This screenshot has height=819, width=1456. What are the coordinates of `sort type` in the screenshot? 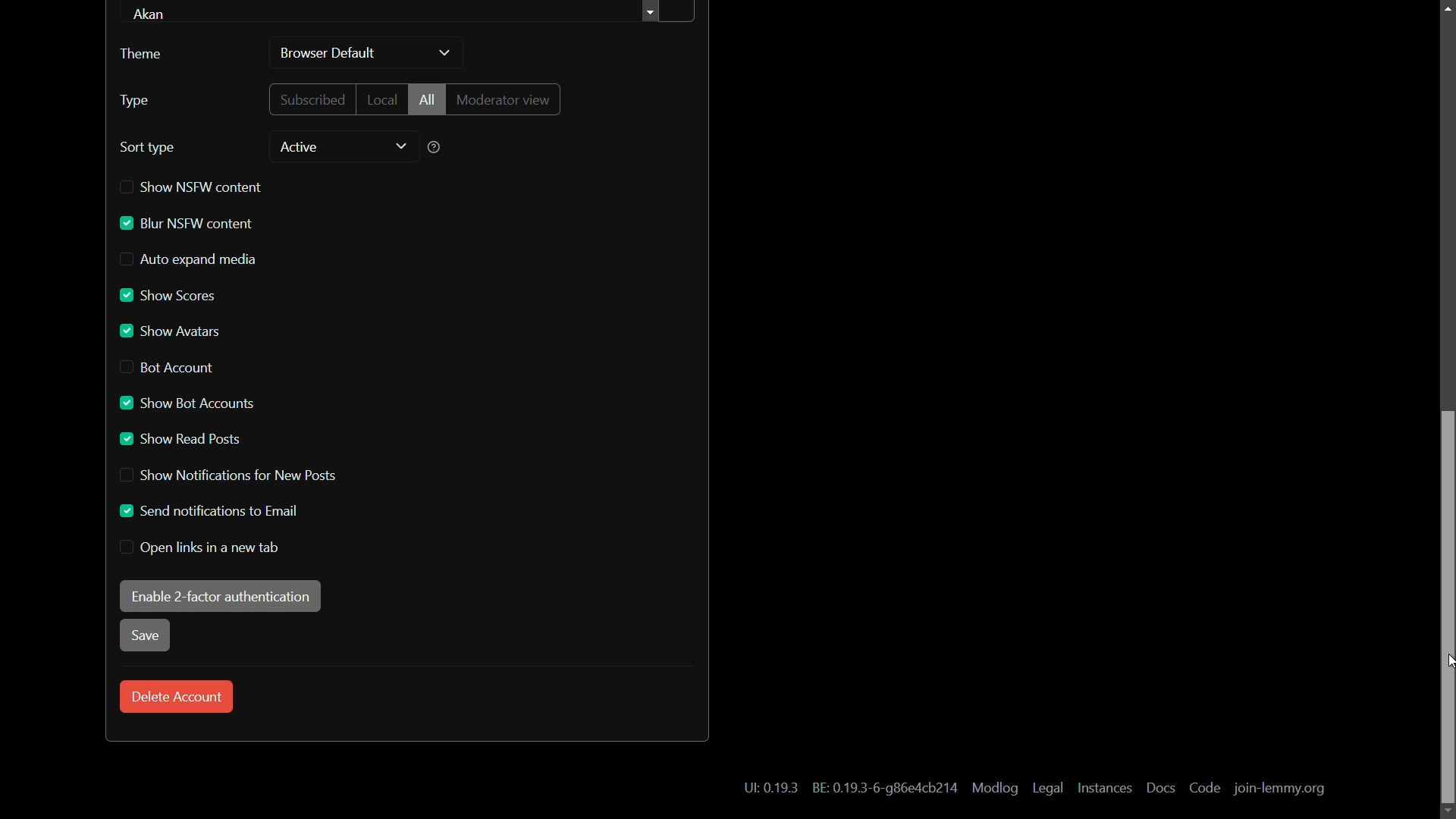 It's located at (149, 148).